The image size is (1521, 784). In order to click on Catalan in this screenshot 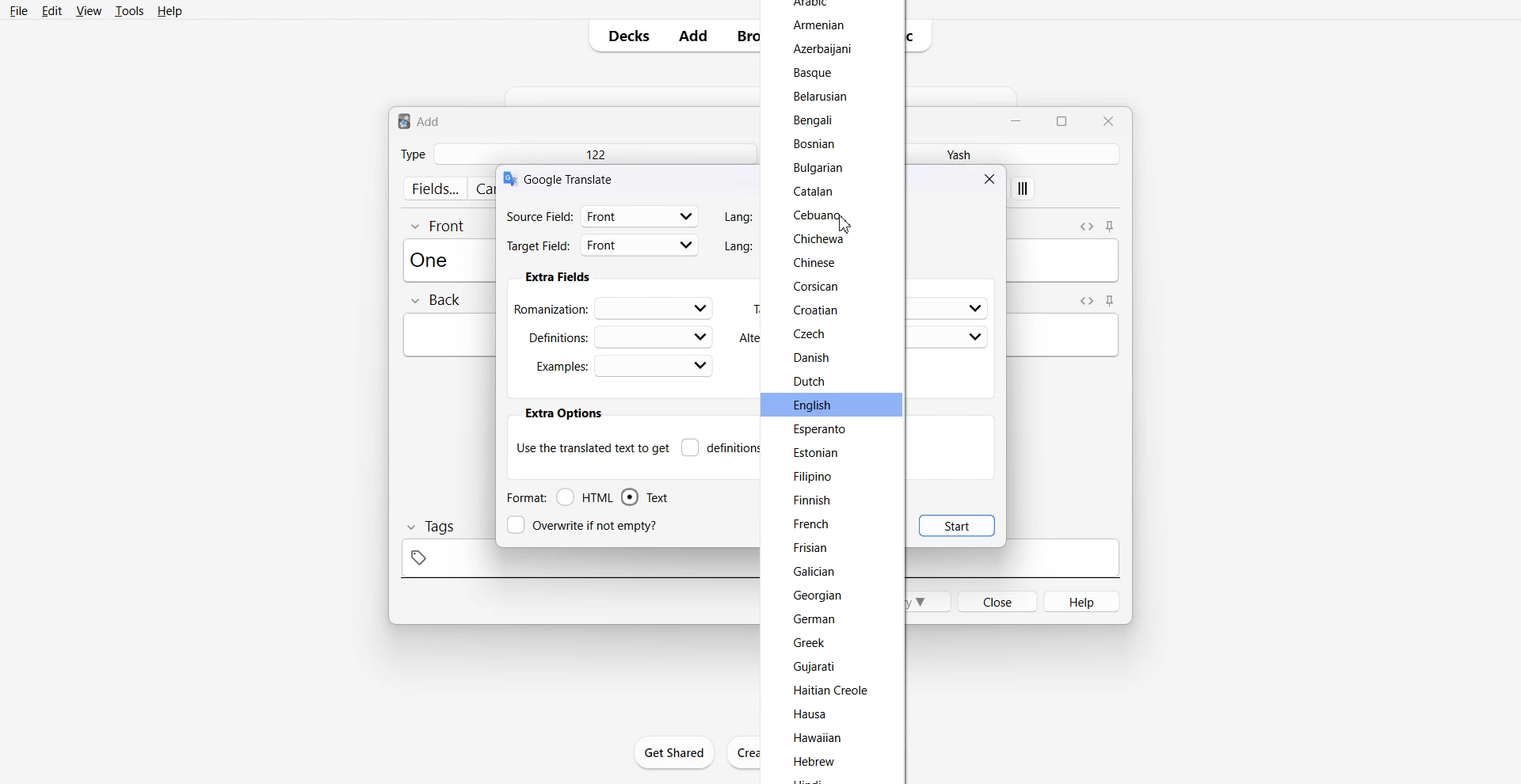, I will do `click(817, 191)`.